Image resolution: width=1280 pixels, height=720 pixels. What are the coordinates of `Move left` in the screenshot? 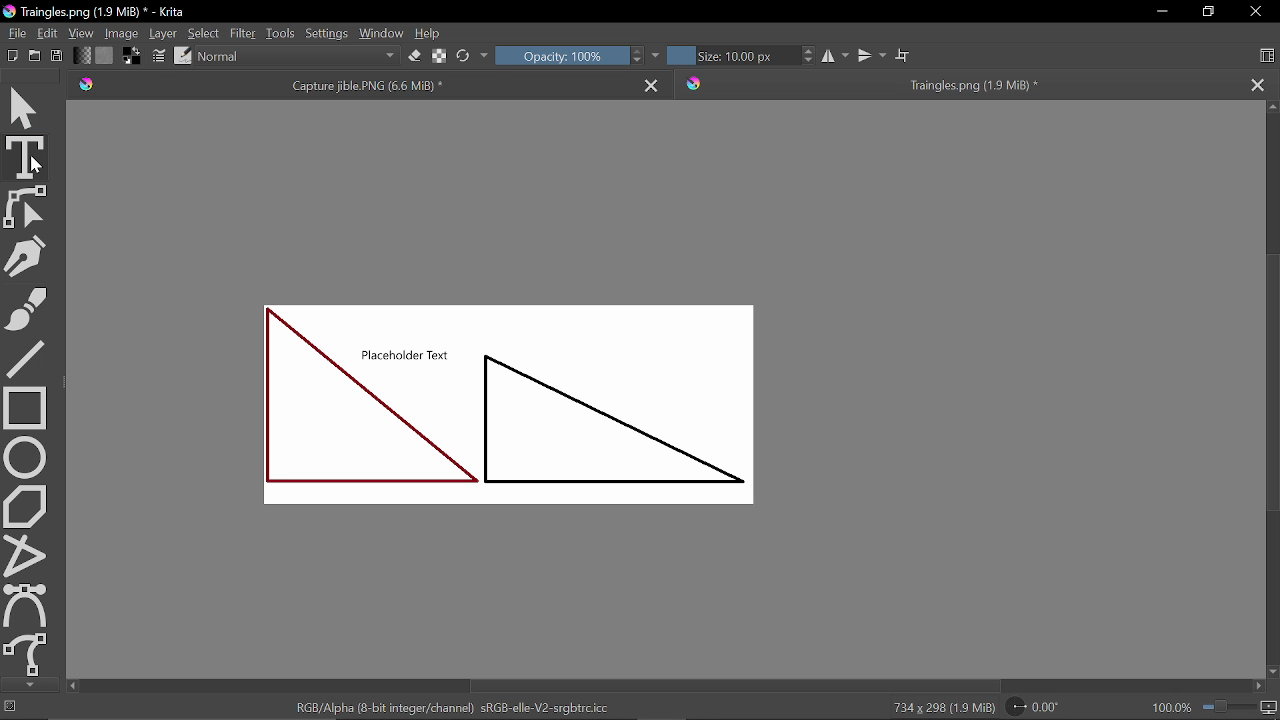 It's located at (72, 687).